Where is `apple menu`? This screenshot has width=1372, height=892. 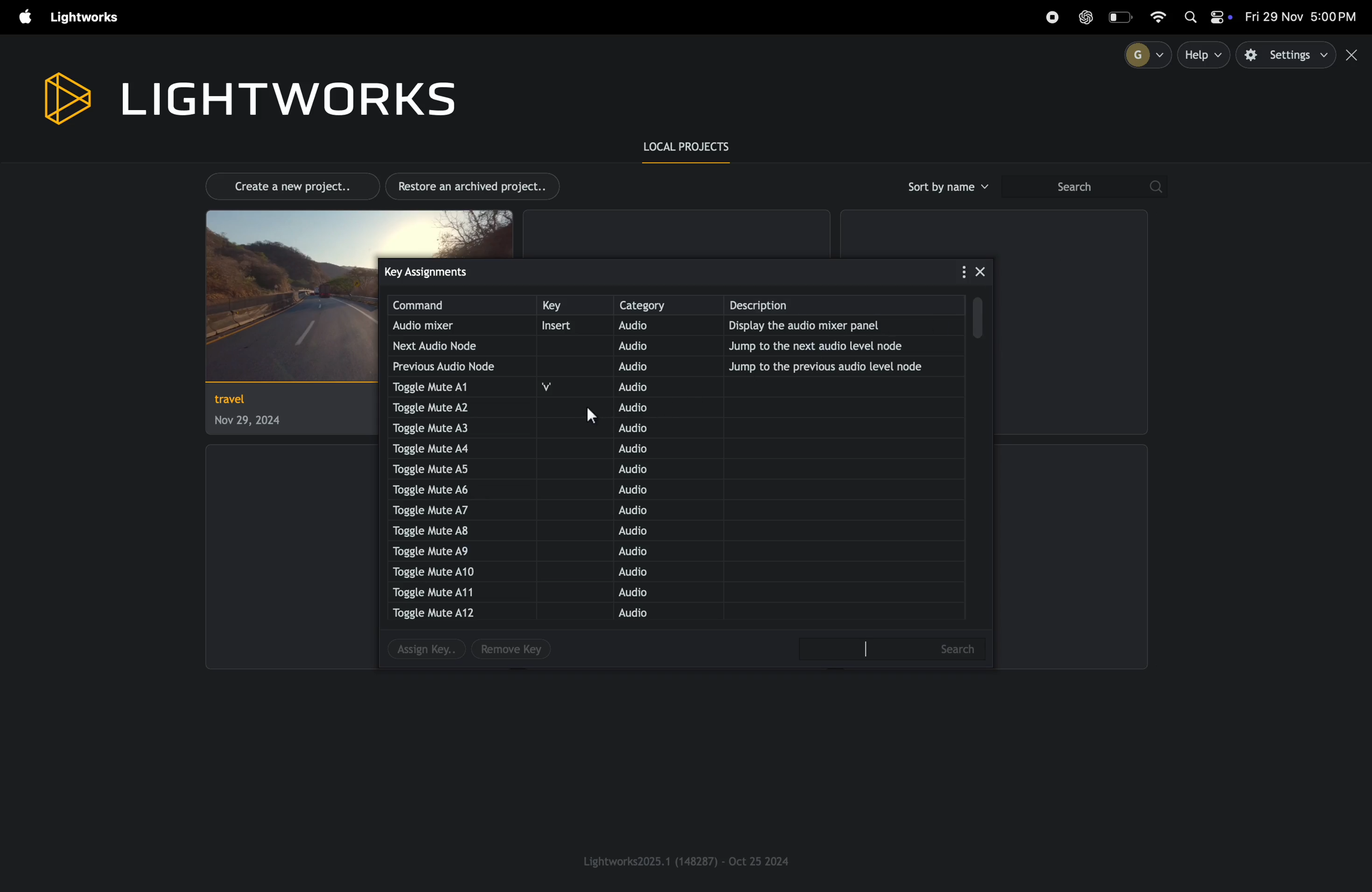
apple menu is located at coordinates (20, 18).